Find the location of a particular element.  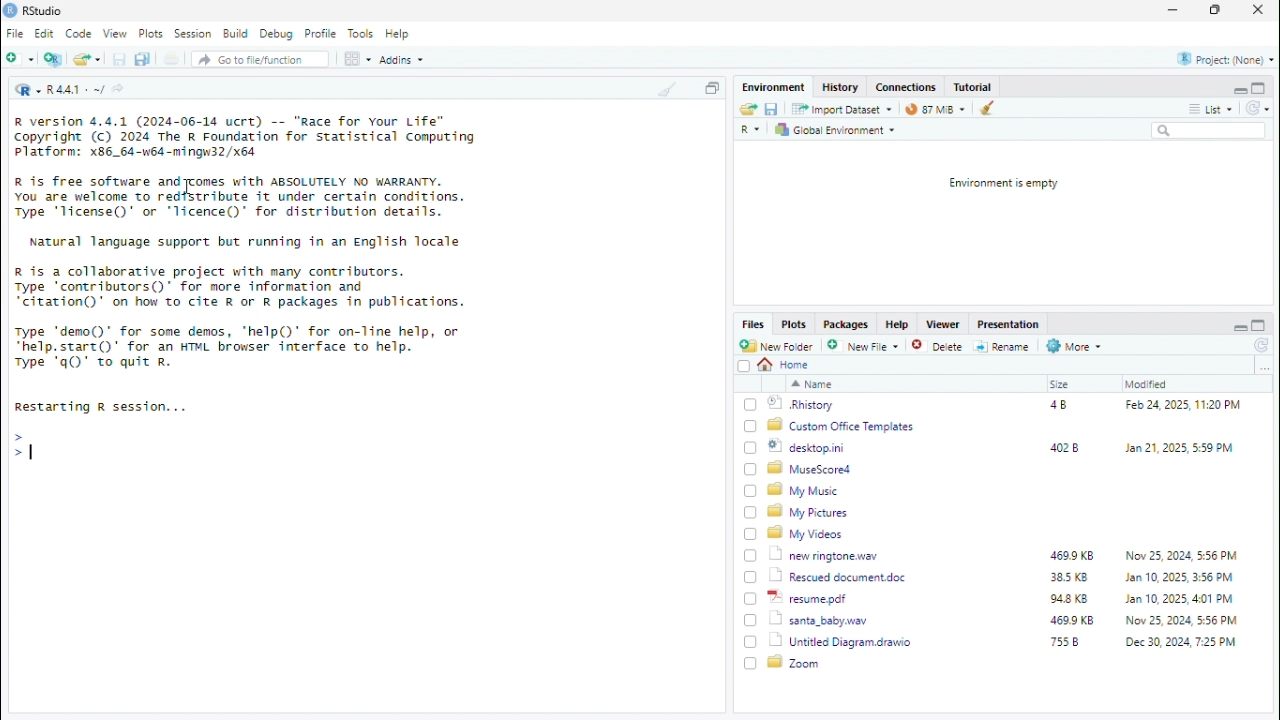

Checkbox is located at coordinates (751, 663).